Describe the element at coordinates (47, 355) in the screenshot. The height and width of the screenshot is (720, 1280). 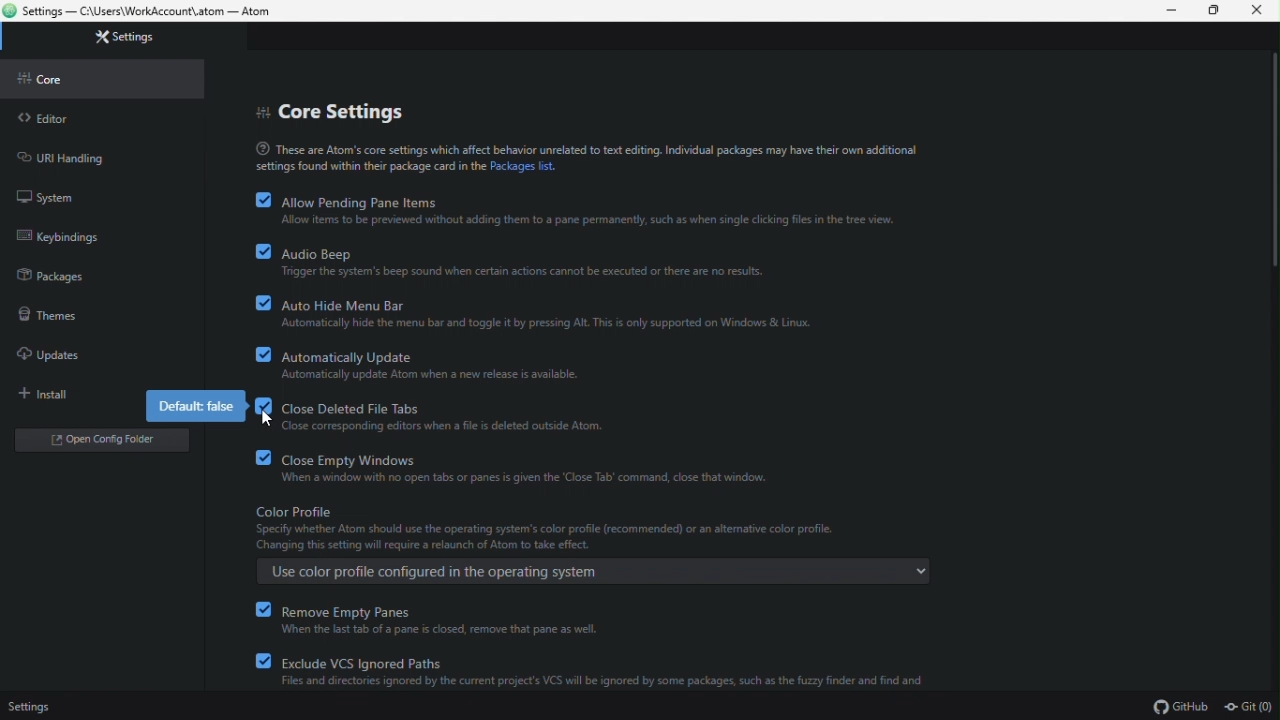
I see `updates` at that location.